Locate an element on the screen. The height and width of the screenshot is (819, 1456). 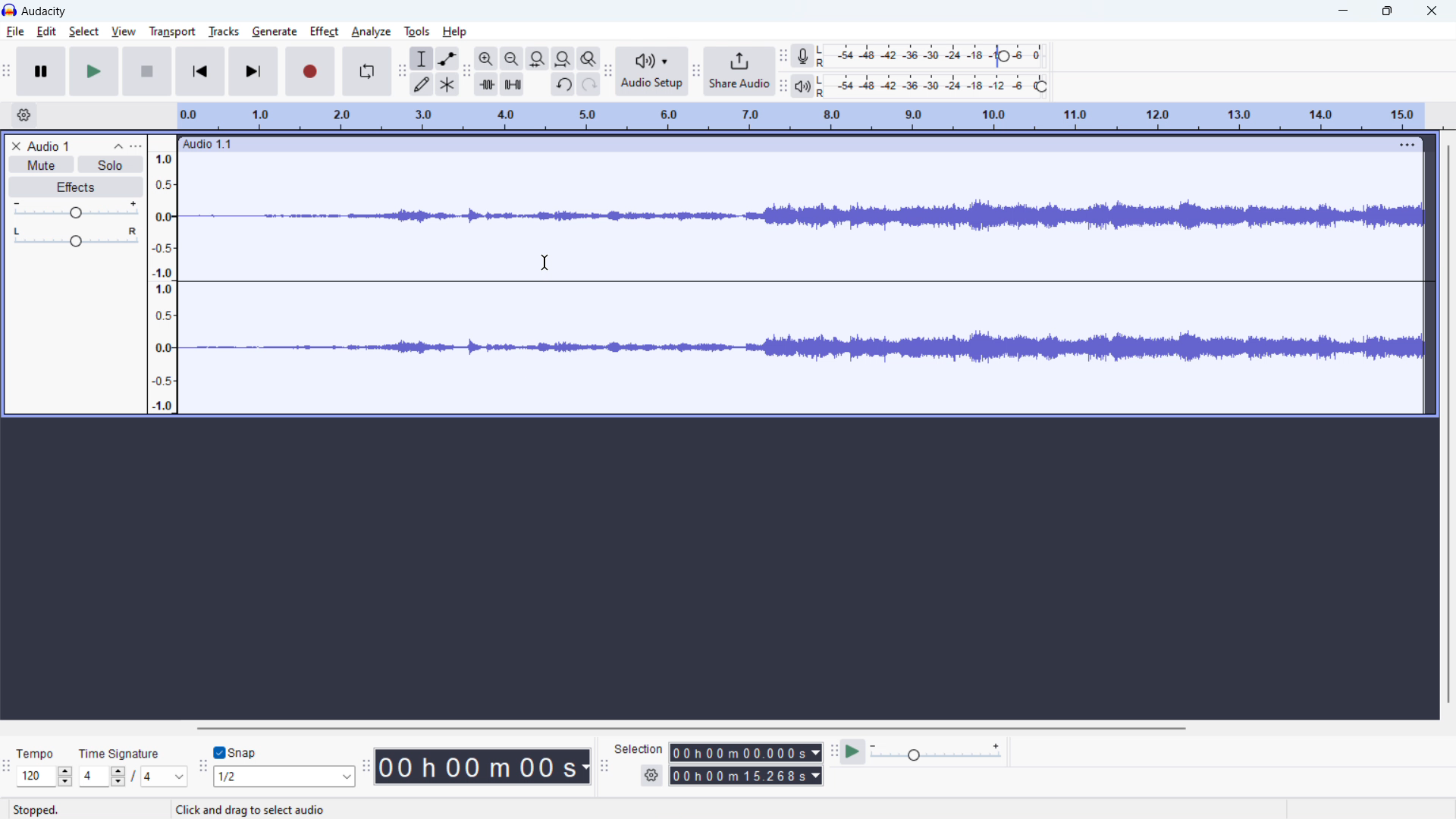
record is located at coordinates (309, 71).